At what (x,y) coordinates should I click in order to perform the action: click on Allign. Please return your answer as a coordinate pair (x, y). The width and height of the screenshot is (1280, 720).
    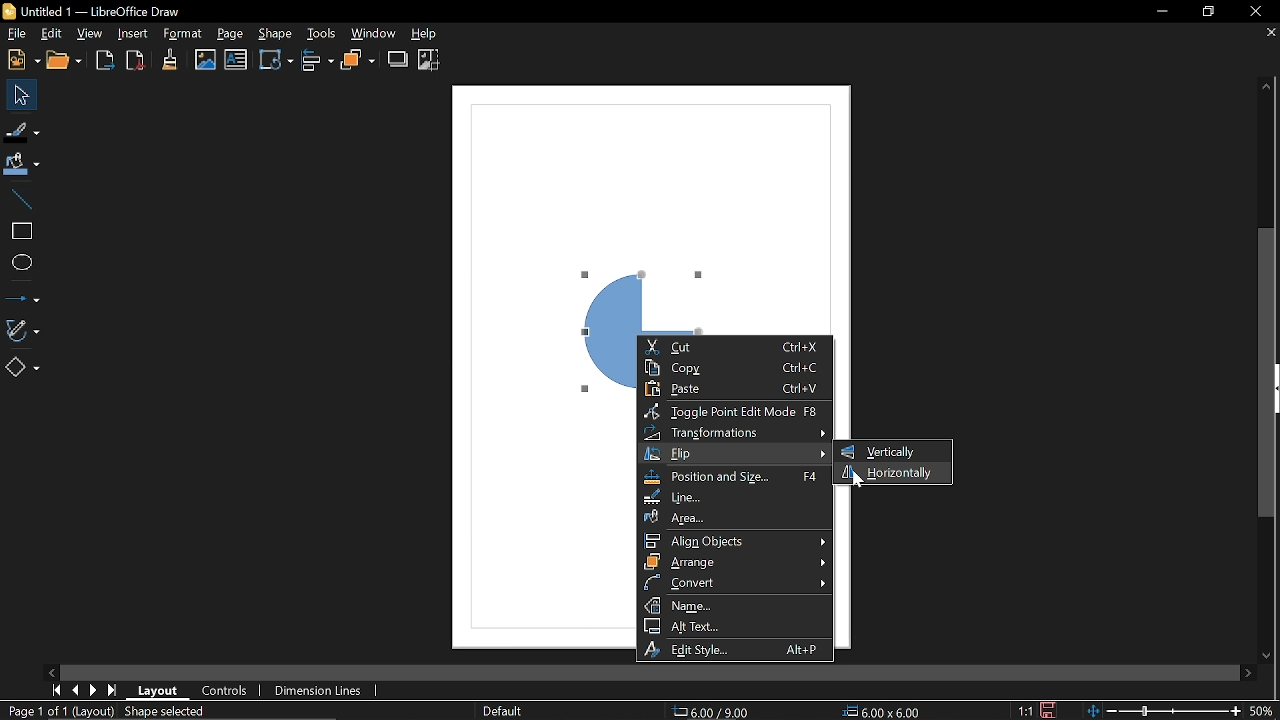
    Looking at the image, I should click on (317, 60).